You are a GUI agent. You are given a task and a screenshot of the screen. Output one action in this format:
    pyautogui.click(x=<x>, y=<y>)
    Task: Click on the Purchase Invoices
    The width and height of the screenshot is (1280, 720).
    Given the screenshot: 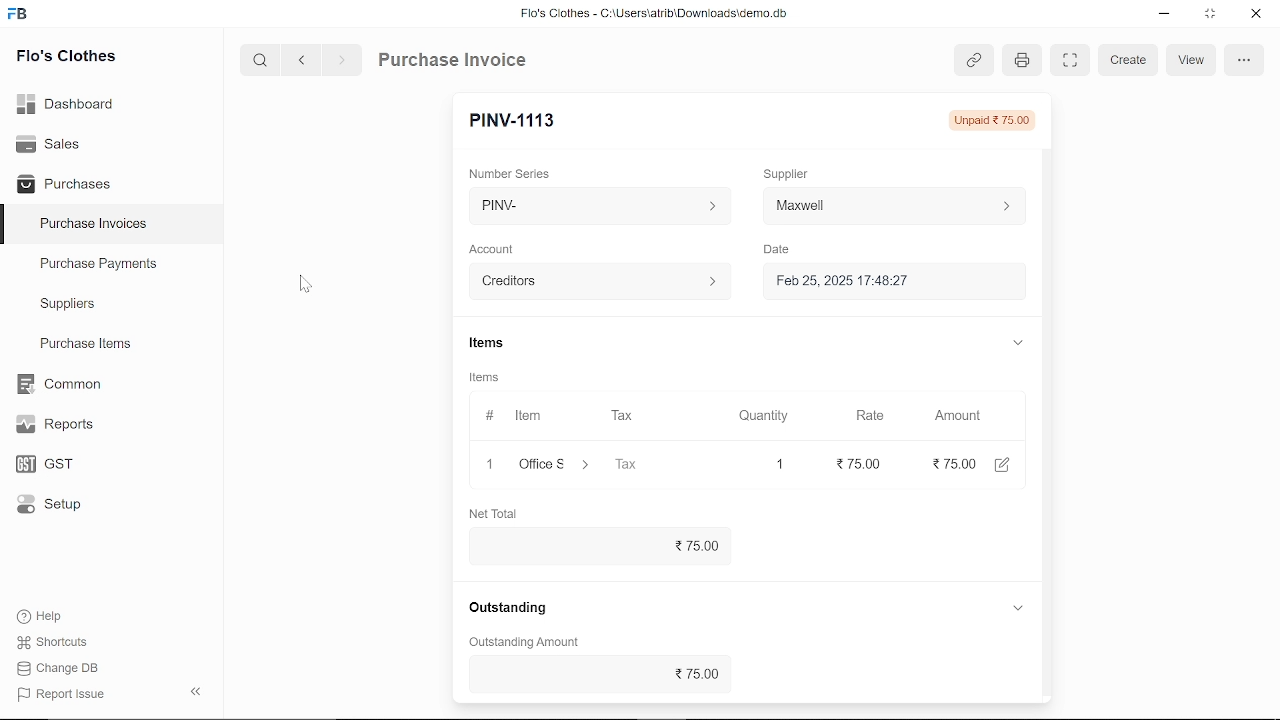 What is the action you would take?
    pyautogui.click(x=94, y=226)
    